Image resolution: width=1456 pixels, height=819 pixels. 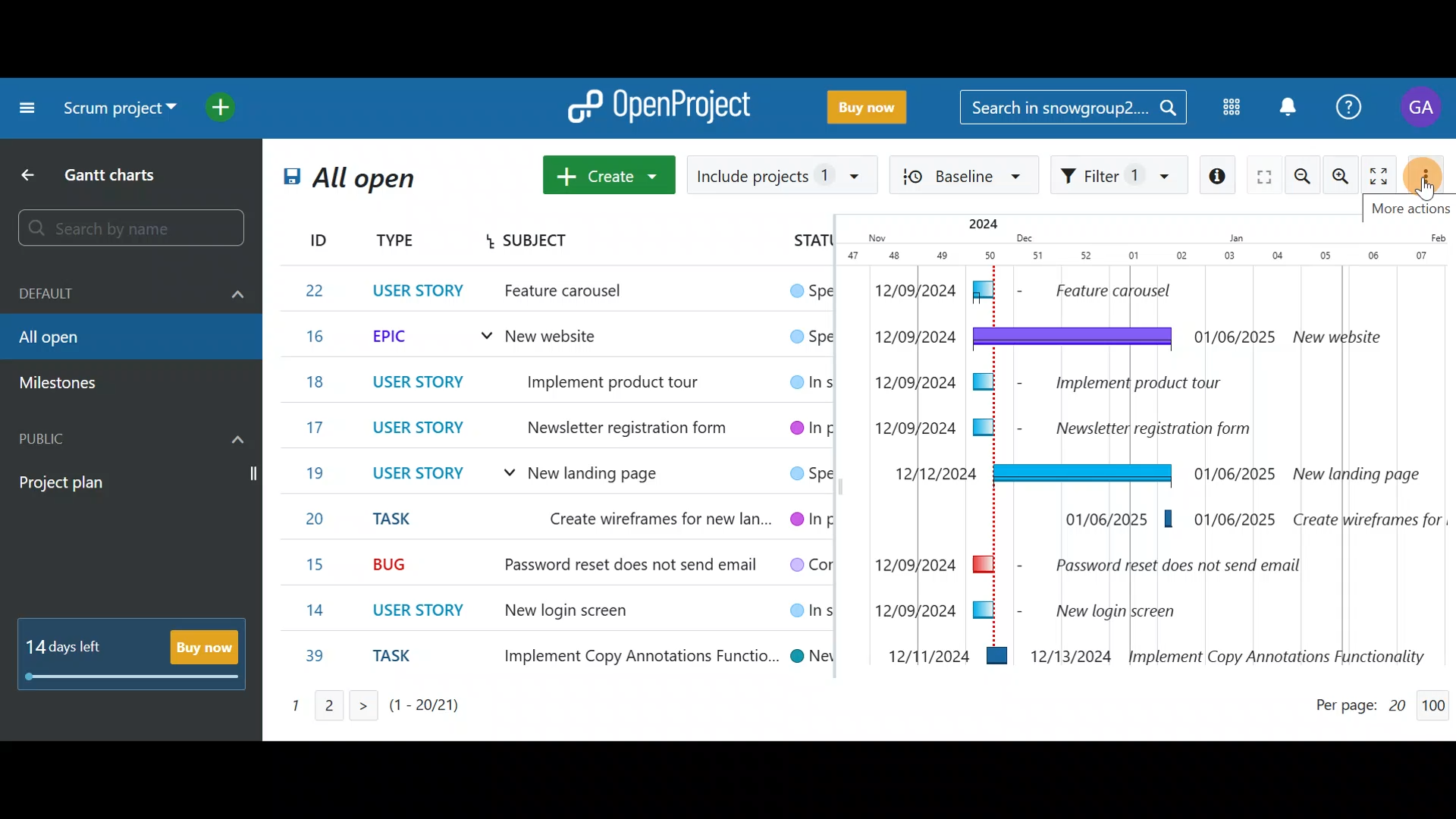 I want to click on Feature carousel, so click(x=588, y=293).